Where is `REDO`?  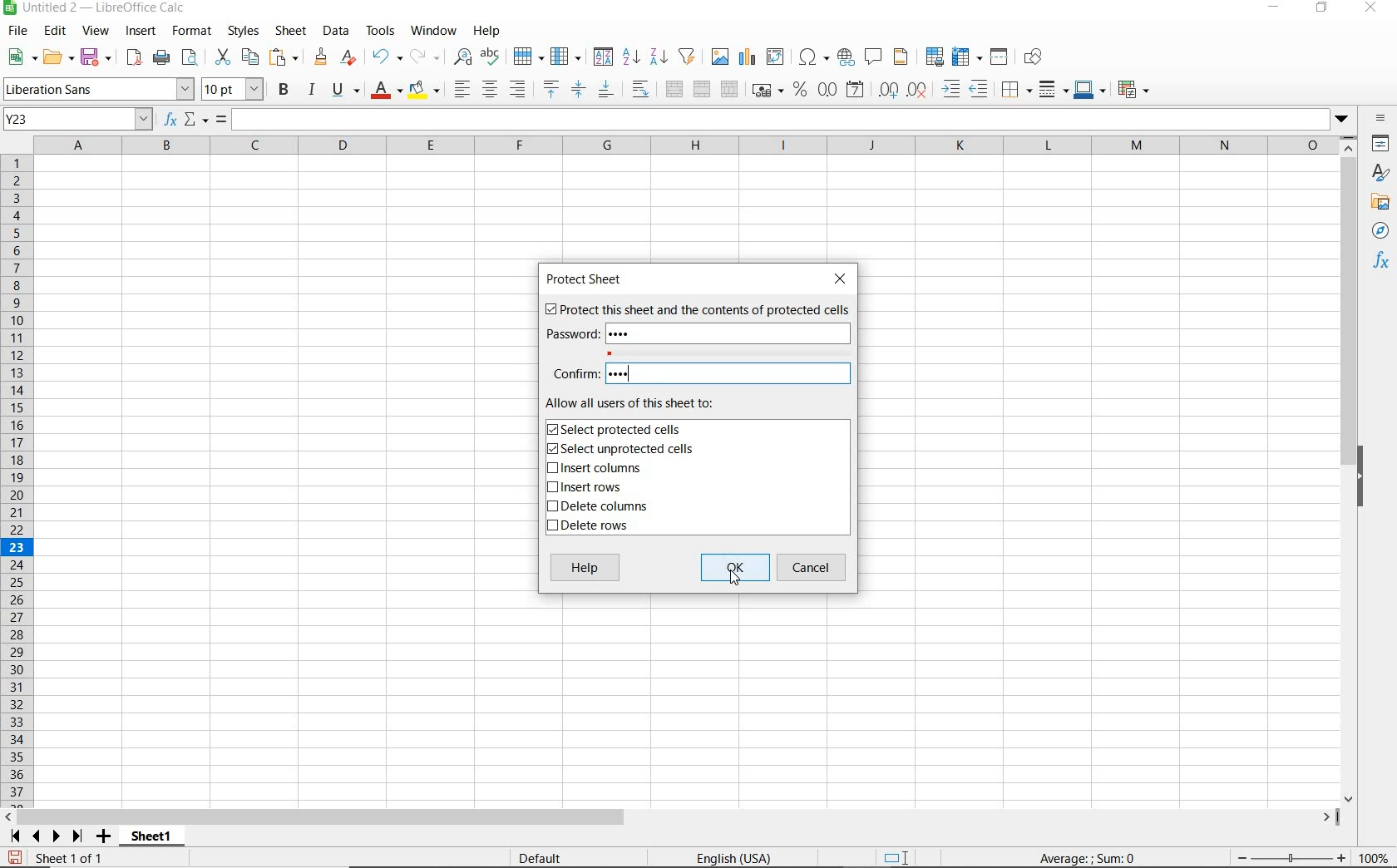 REDO is located at coordinates (423, 55).